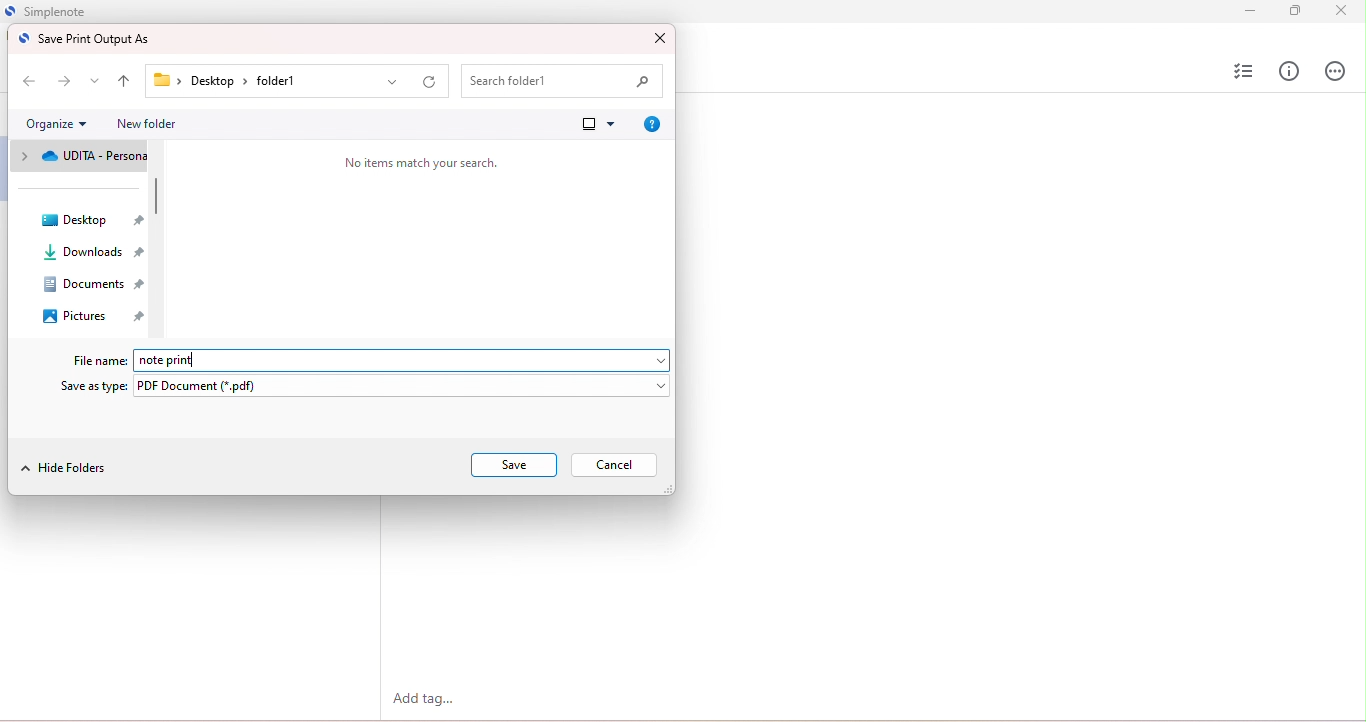 Image resolution: width=1366 pixels, height=722 pixels. I want to click on previous, so click(27, 79).